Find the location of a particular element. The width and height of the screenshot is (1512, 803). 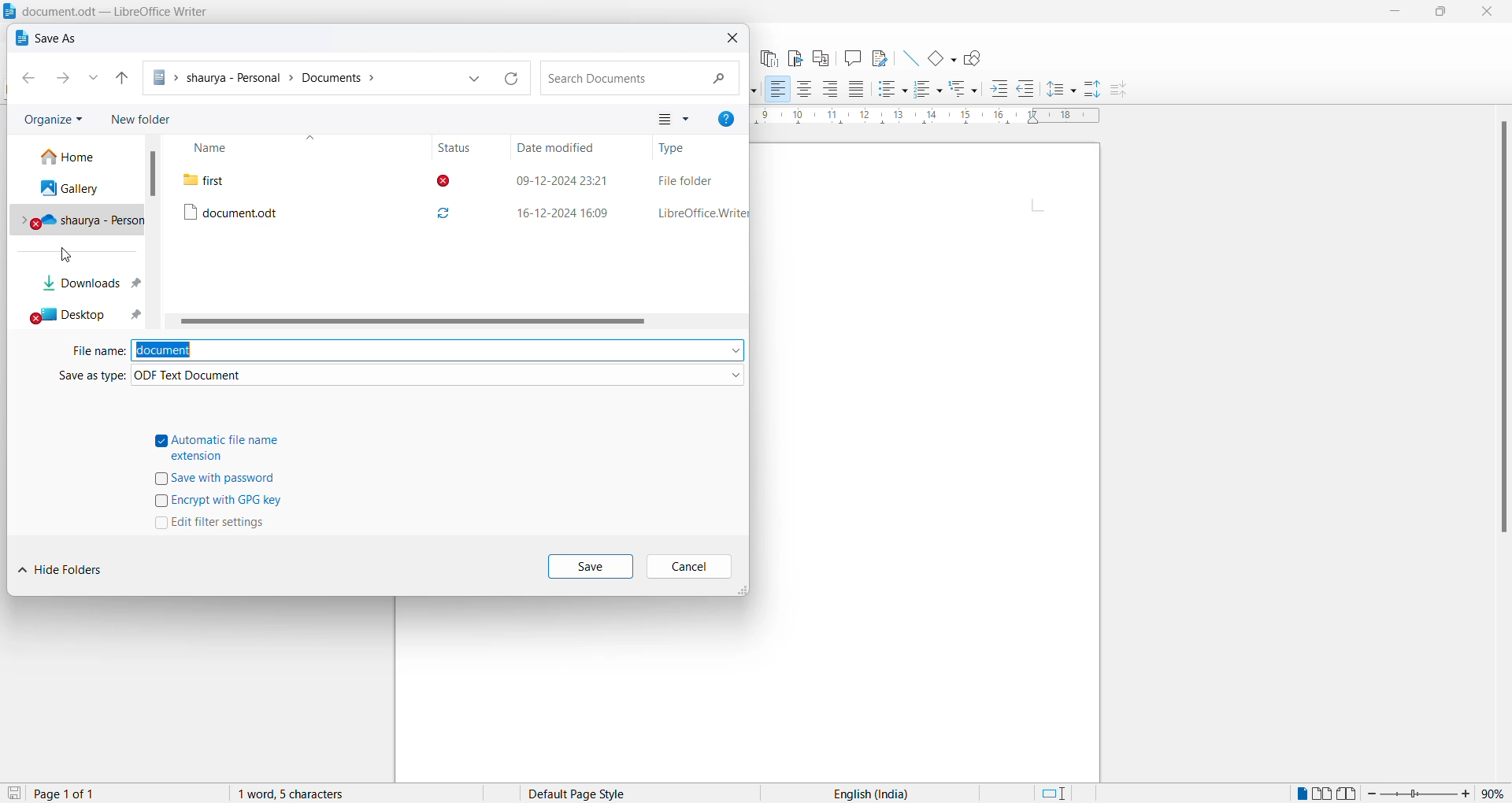

Show draw function is located at coordinates (975, 58).